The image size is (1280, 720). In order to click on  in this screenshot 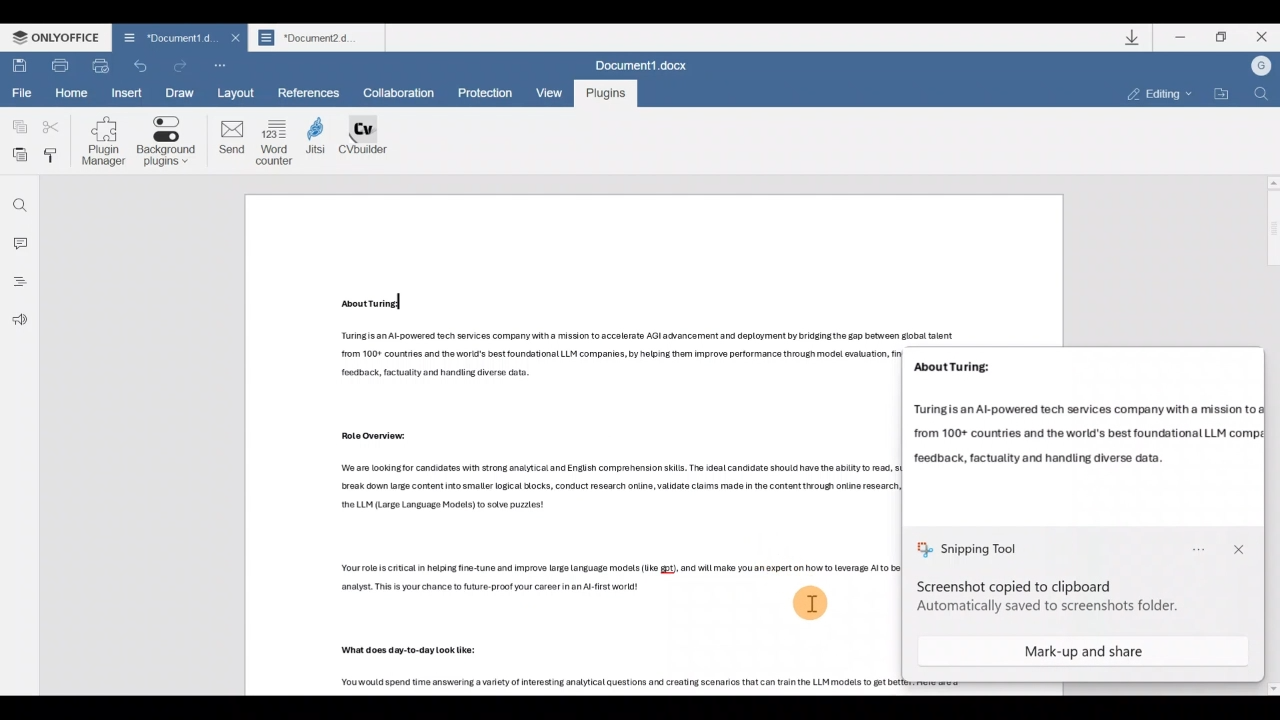, I will do `click(611, 681)`.